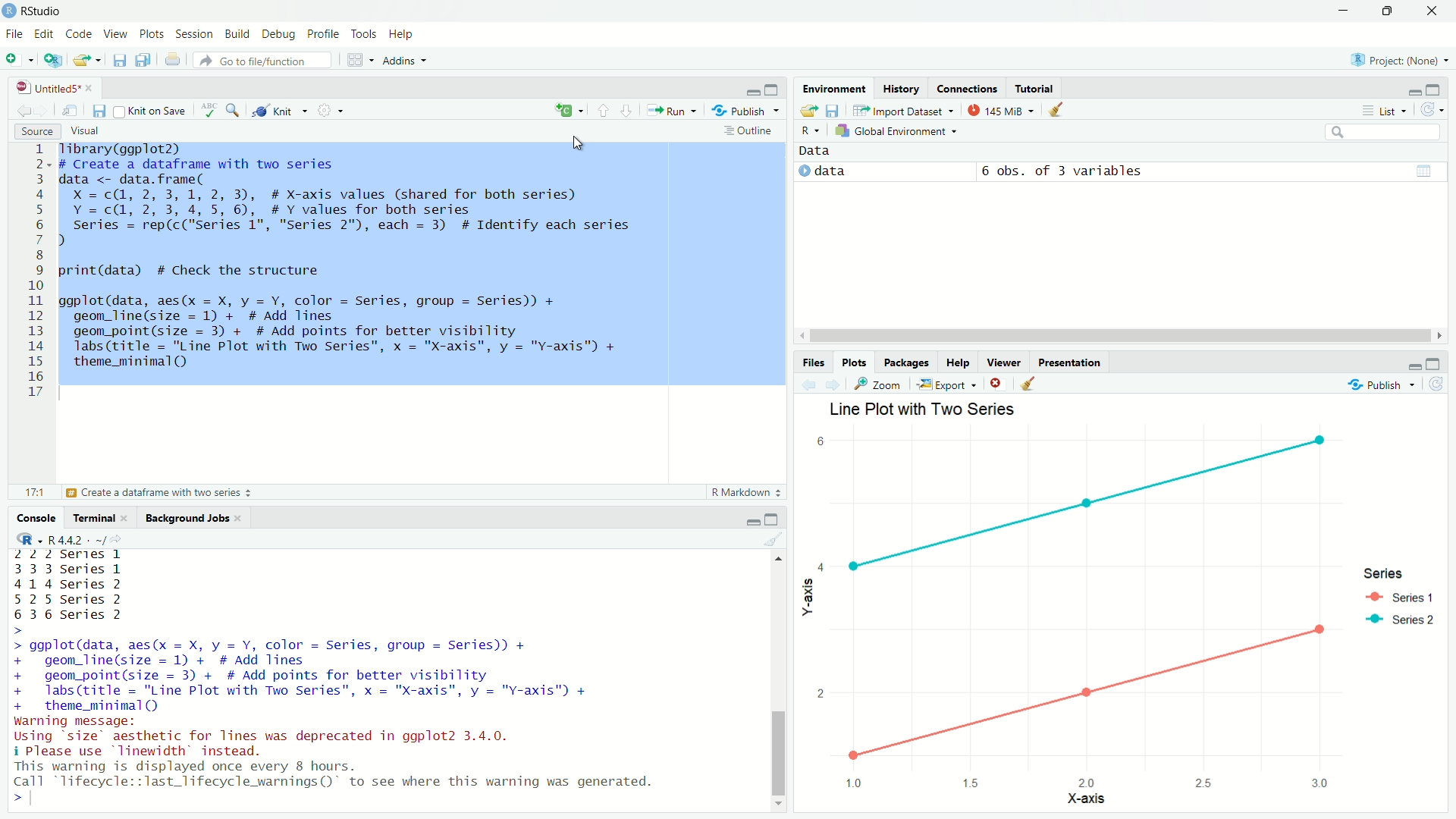 The height and width of the screenshot is (819, 1456). I want to click on Platform.xbb_b4 "" R is free software and comes with ABSOLUTELY NO WARRANTY.You are welcome to redistribute it under certain conditions.Type "license" or 'licence()' for distribution details.Natural language support but running in an English localeR is a collaborative project with many contributors.Type 'contributors()' for more information and"citation()" on how to cite R or R packages in publications.Type "demo()' for some demos, 'help()' for on-line help, or quit R, so click(345, 667).